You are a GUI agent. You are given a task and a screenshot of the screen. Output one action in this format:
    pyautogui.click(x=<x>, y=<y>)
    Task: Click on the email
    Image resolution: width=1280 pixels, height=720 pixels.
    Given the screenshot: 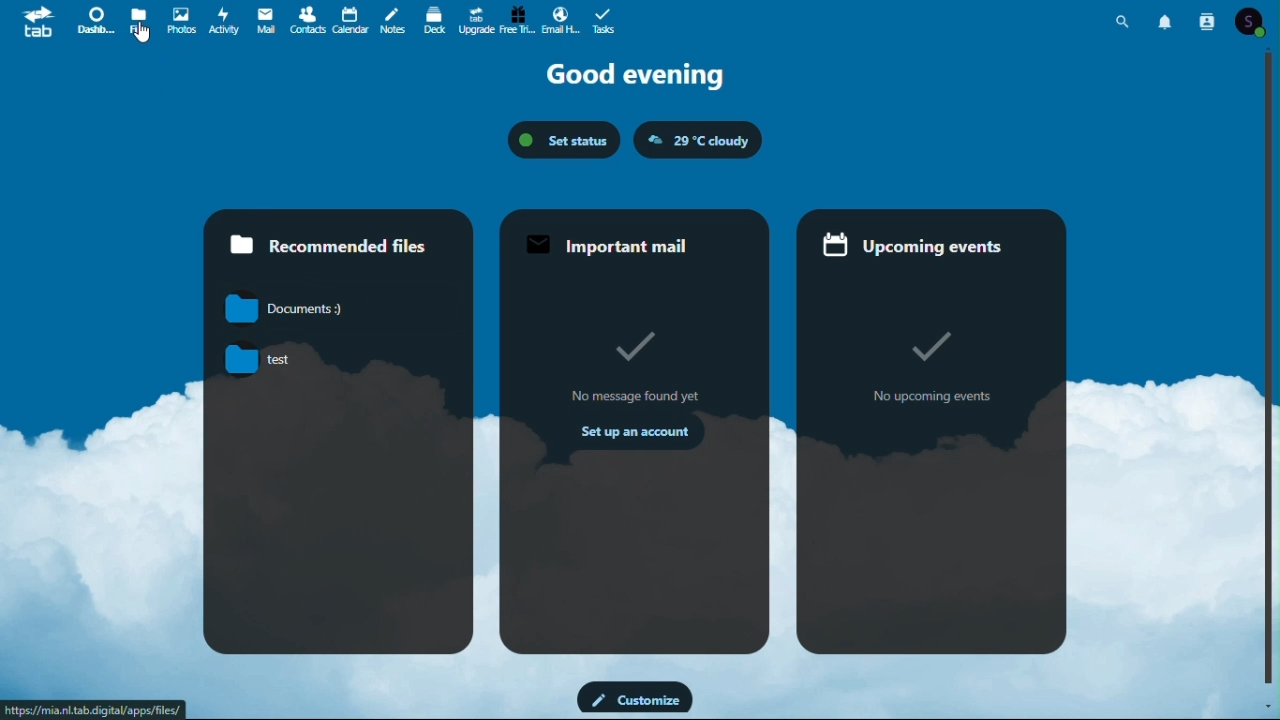 What is the action you would take?
    pyautogui.click(x=265, y=21)
    